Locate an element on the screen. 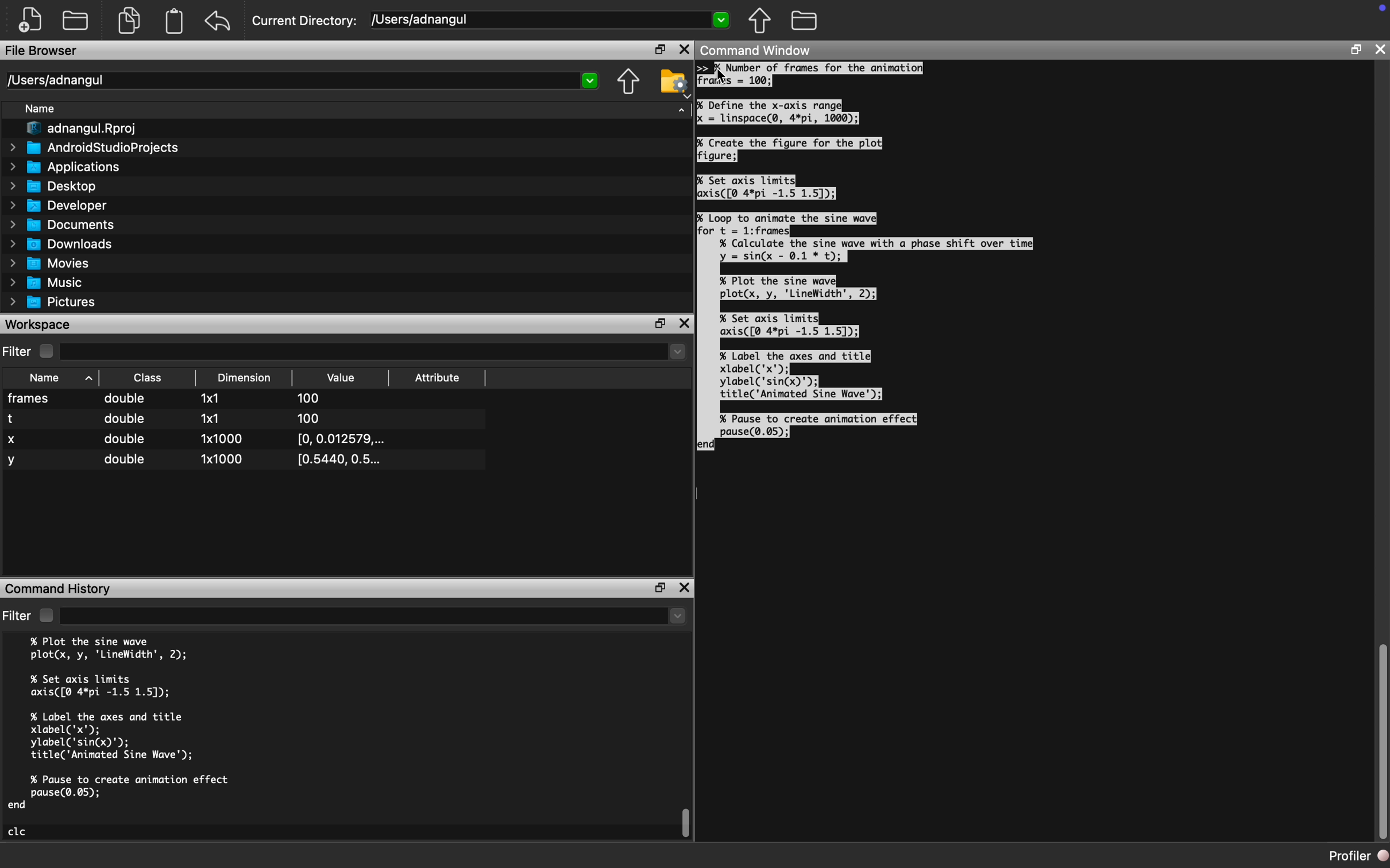 The height and width of the screenshot is (868, 1390). Music is located at coordinates (45, 282).